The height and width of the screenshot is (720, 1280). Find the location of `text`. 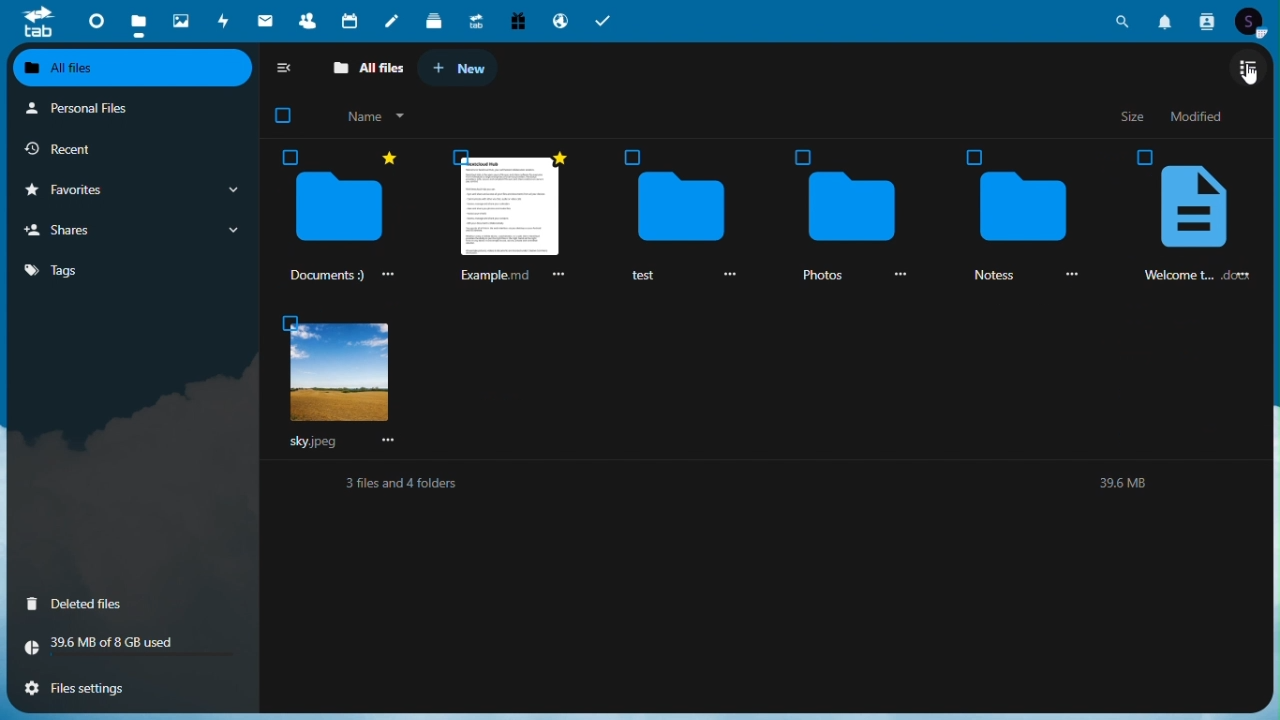

text is located at coordinates (770, 487).